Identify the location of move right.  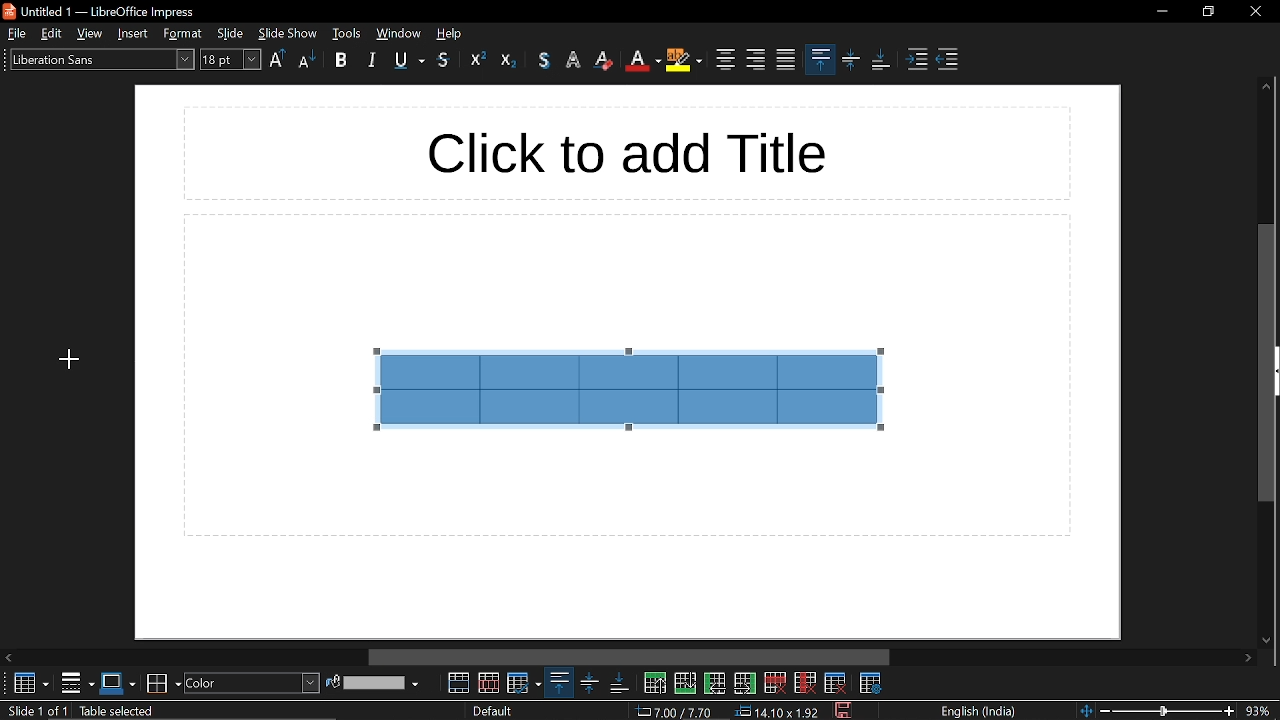
(1251, 659).